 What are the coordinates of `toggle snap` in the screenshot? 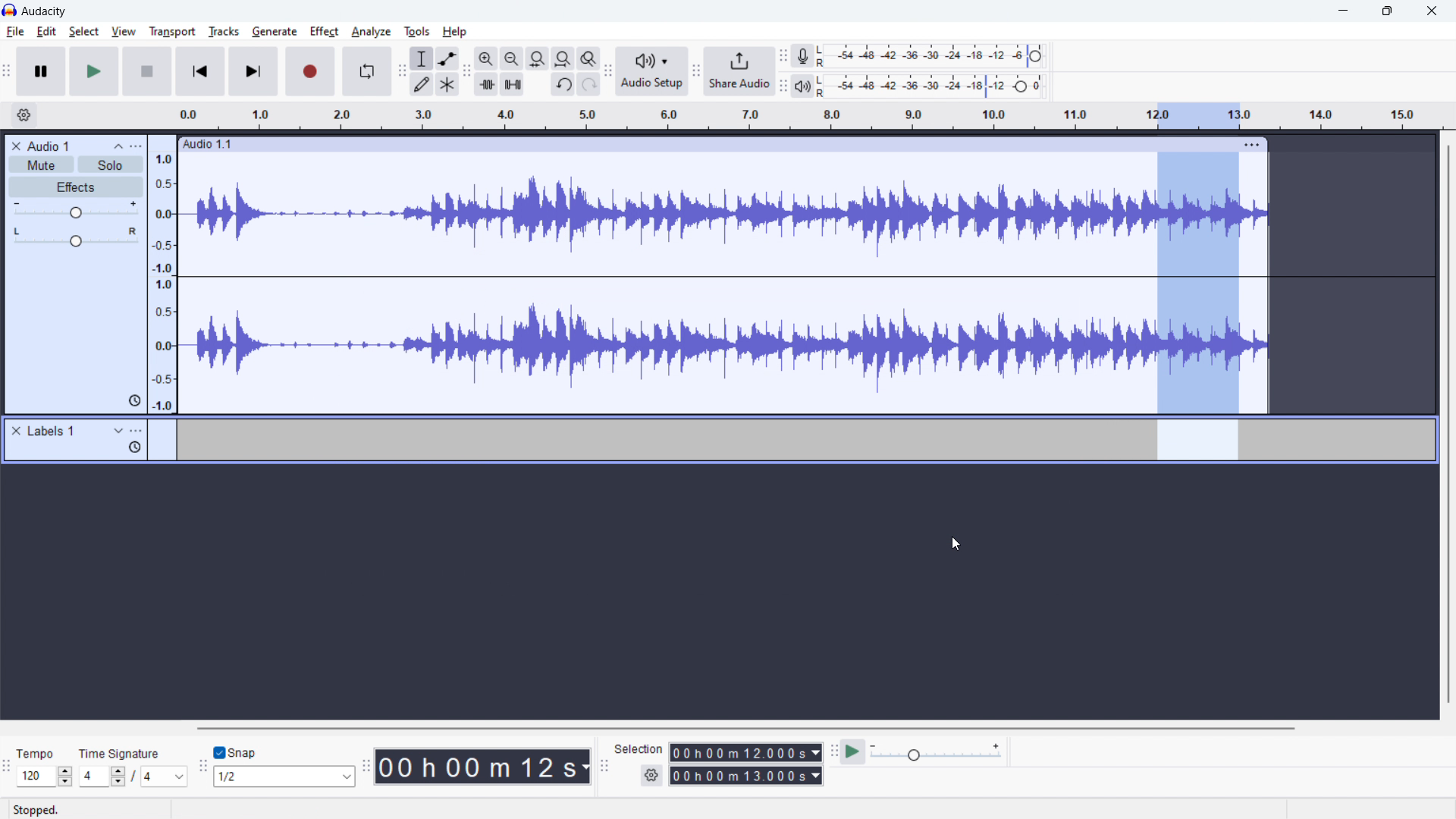 It's located at (236, 753).